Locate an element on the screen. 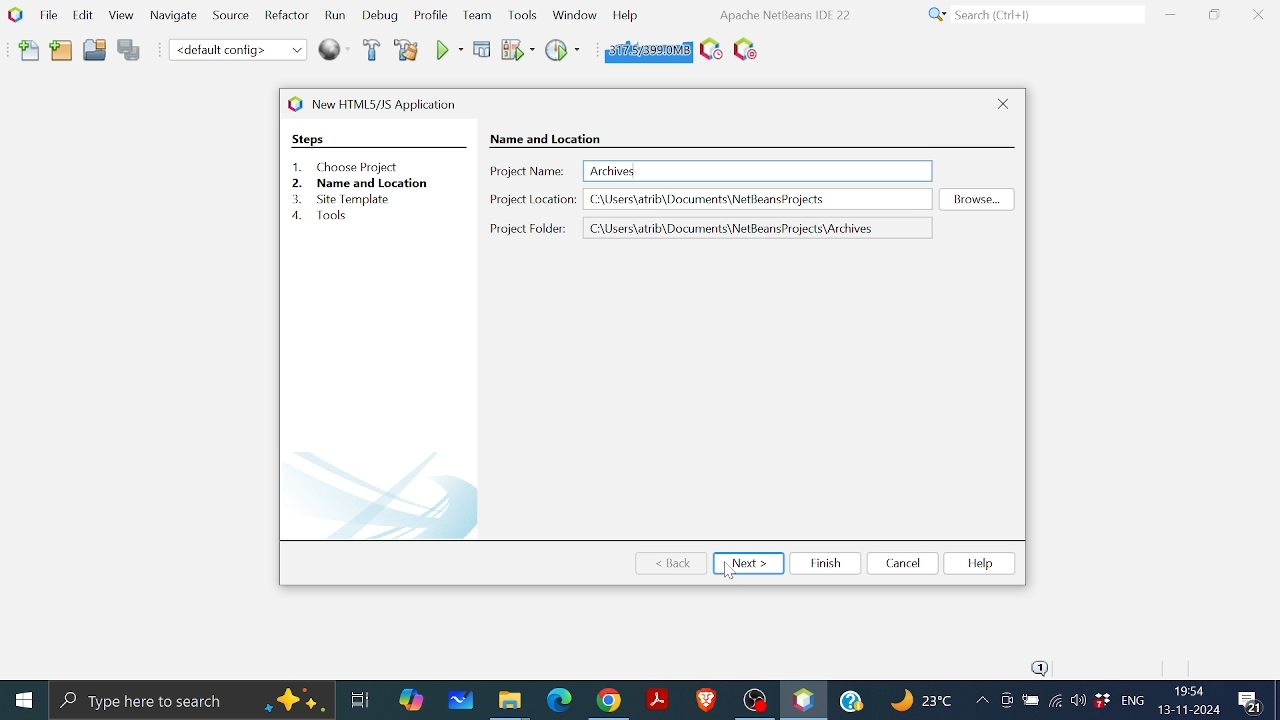 The height and width of the screenshot is (720, 1280). 3. Site template is located at coordinates (347, 199).